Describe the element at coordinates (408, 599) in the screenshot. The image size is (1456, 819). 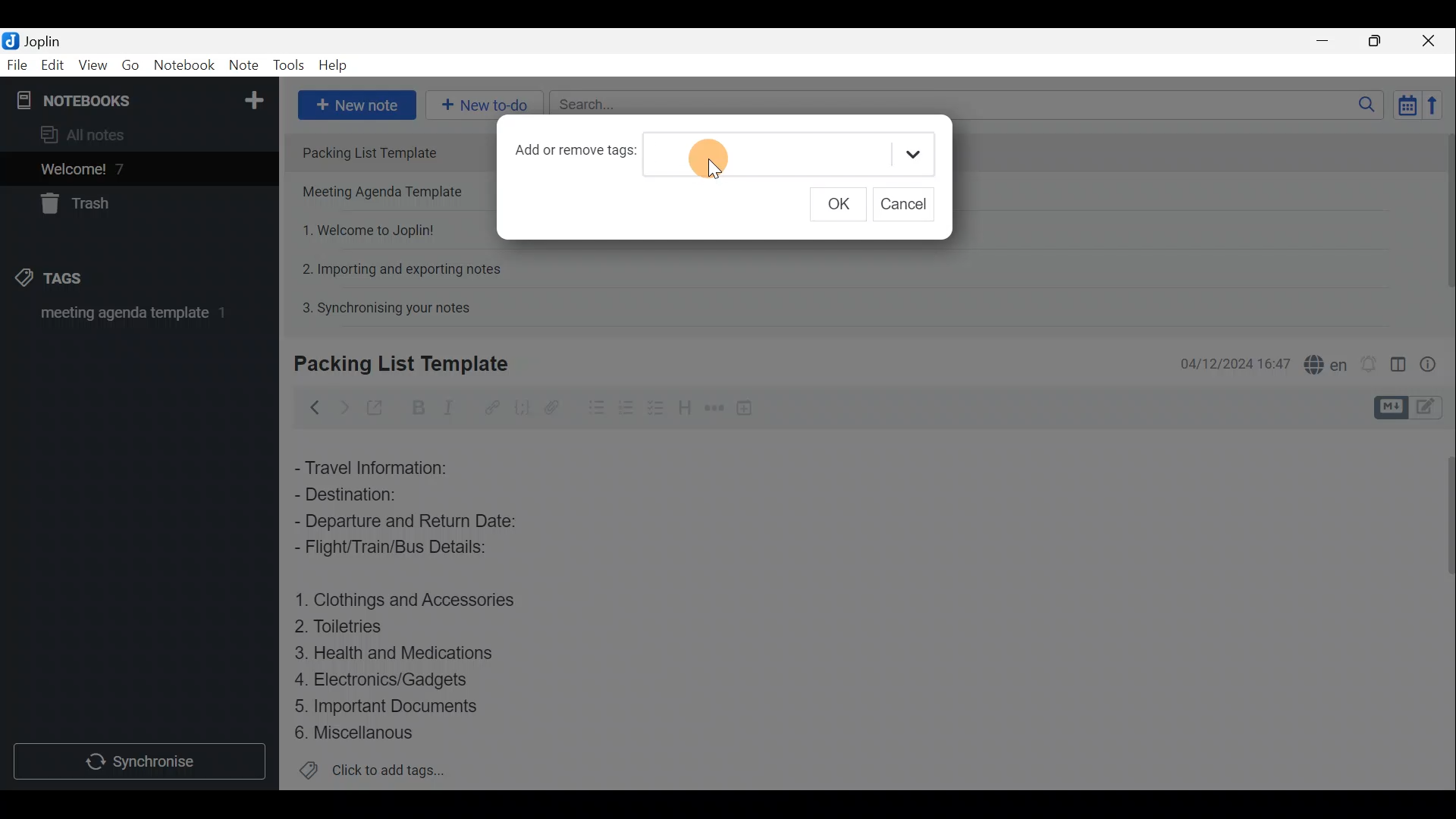
I see `Clothings and Accessories` at that location.